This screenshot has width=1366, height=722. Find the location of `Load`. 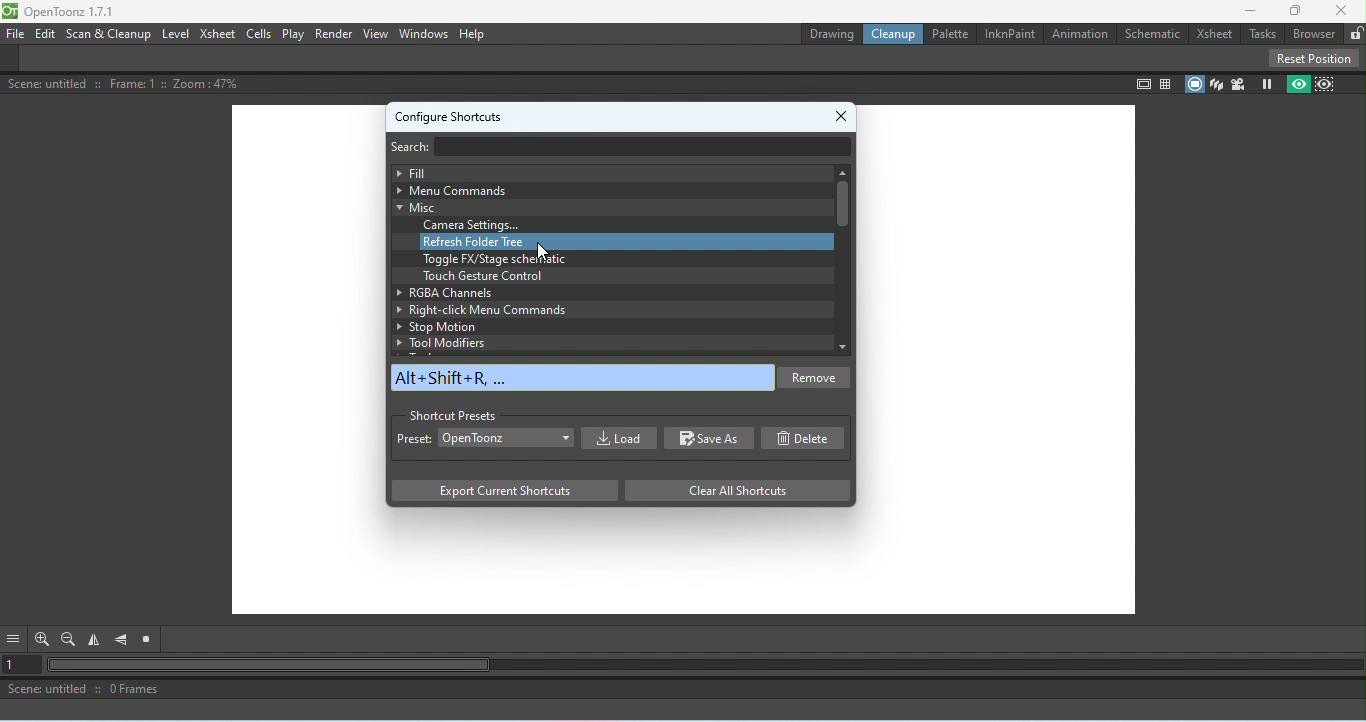

Load is located at coordinates (616, 438).